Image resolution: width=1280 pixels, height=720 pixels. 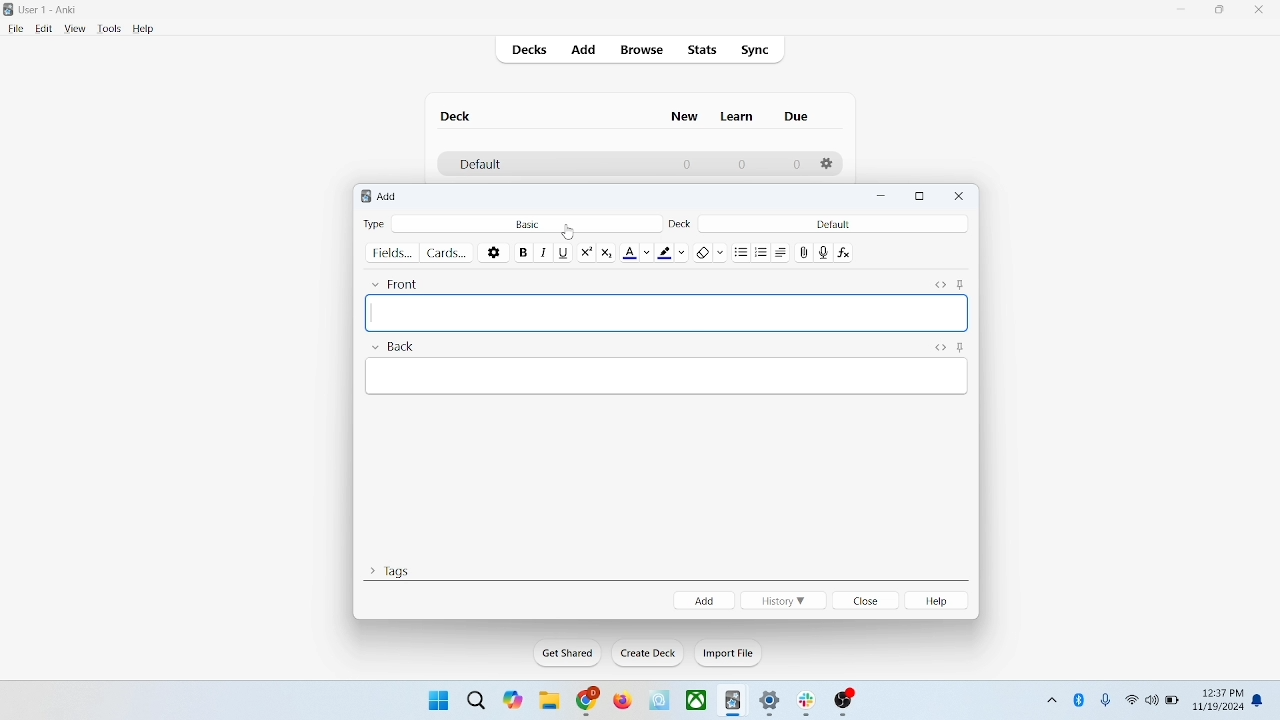 I want to click on blank space, so click(x=668, y=377).